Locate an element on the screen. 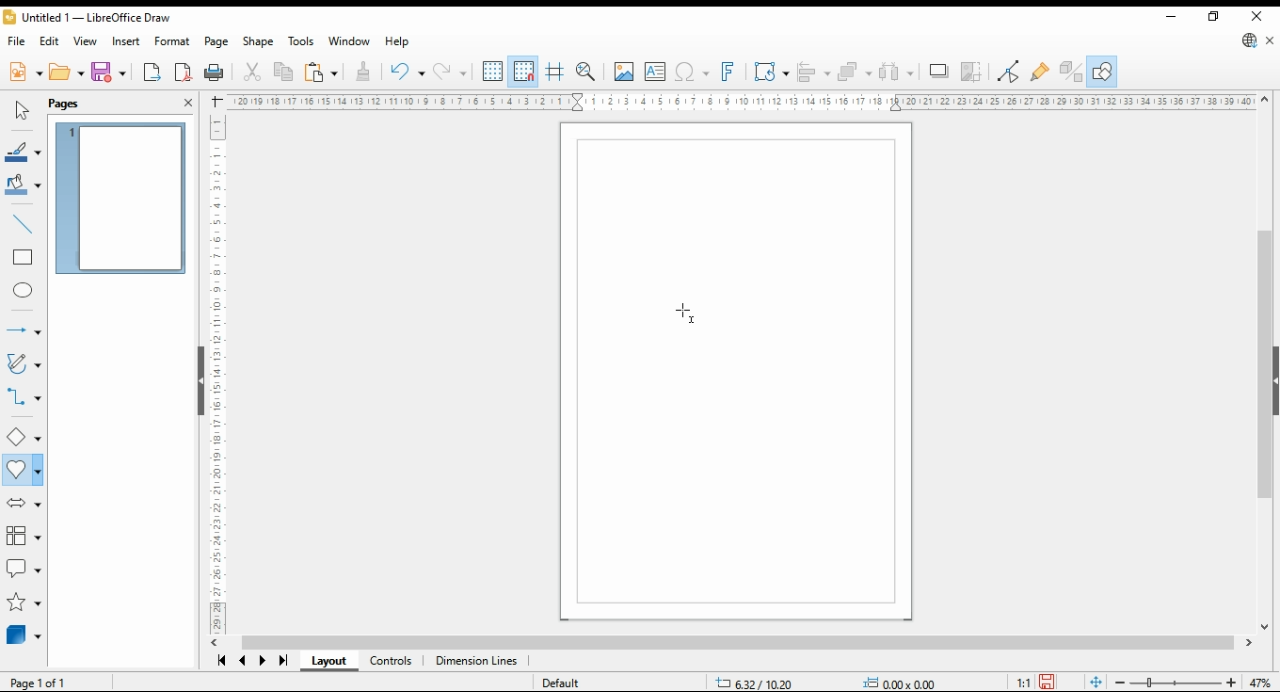 Image resolution: width=1280 pixels, height=692 pixels. fit page to window is located at coordinates (1095, 682).